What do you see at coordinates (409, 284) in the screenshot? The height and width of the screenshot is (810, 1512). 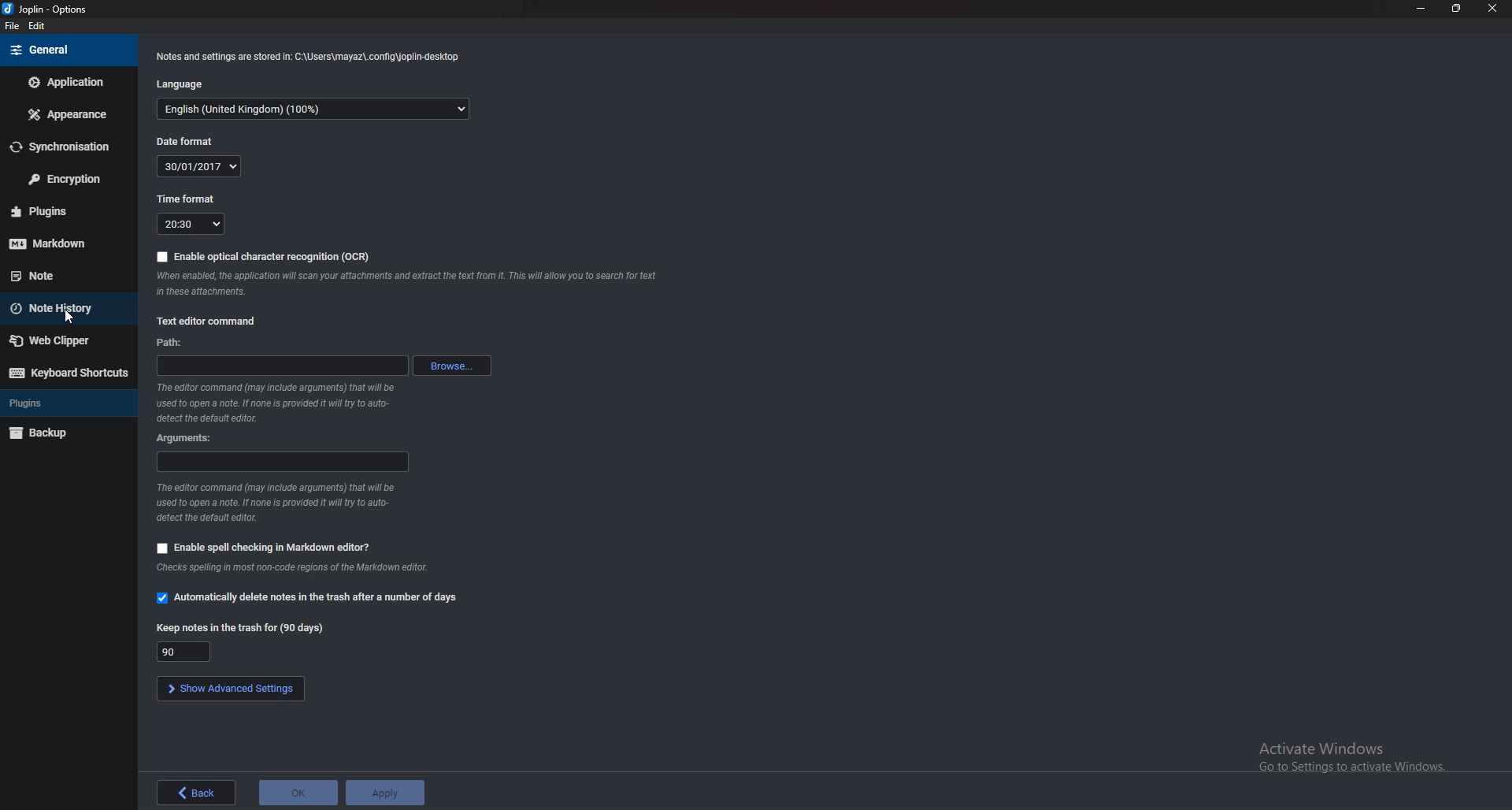 I see `info` at bounding box center [409, 284].